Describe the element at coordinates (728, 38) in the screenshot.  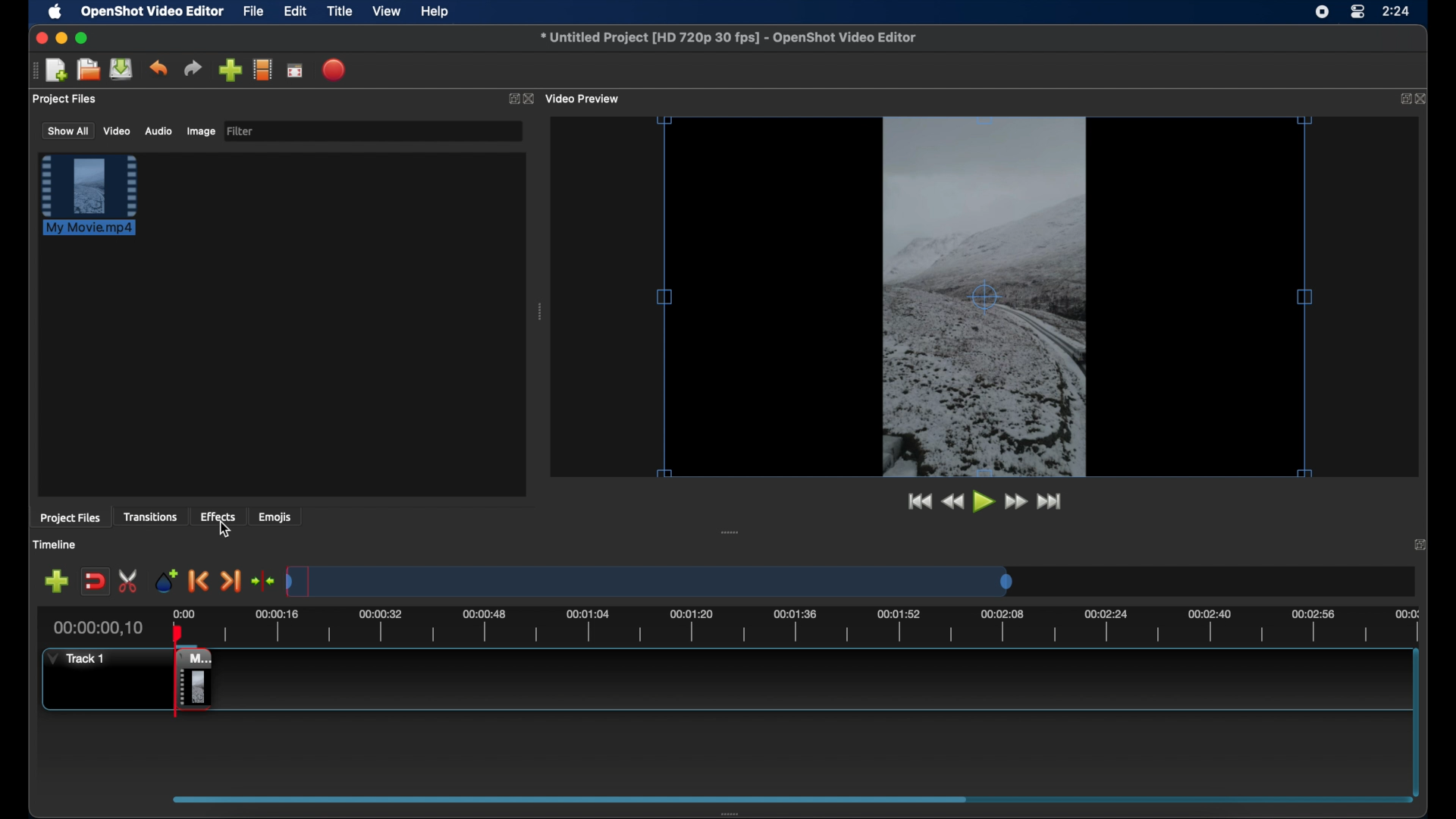
I see `file name` at that location.